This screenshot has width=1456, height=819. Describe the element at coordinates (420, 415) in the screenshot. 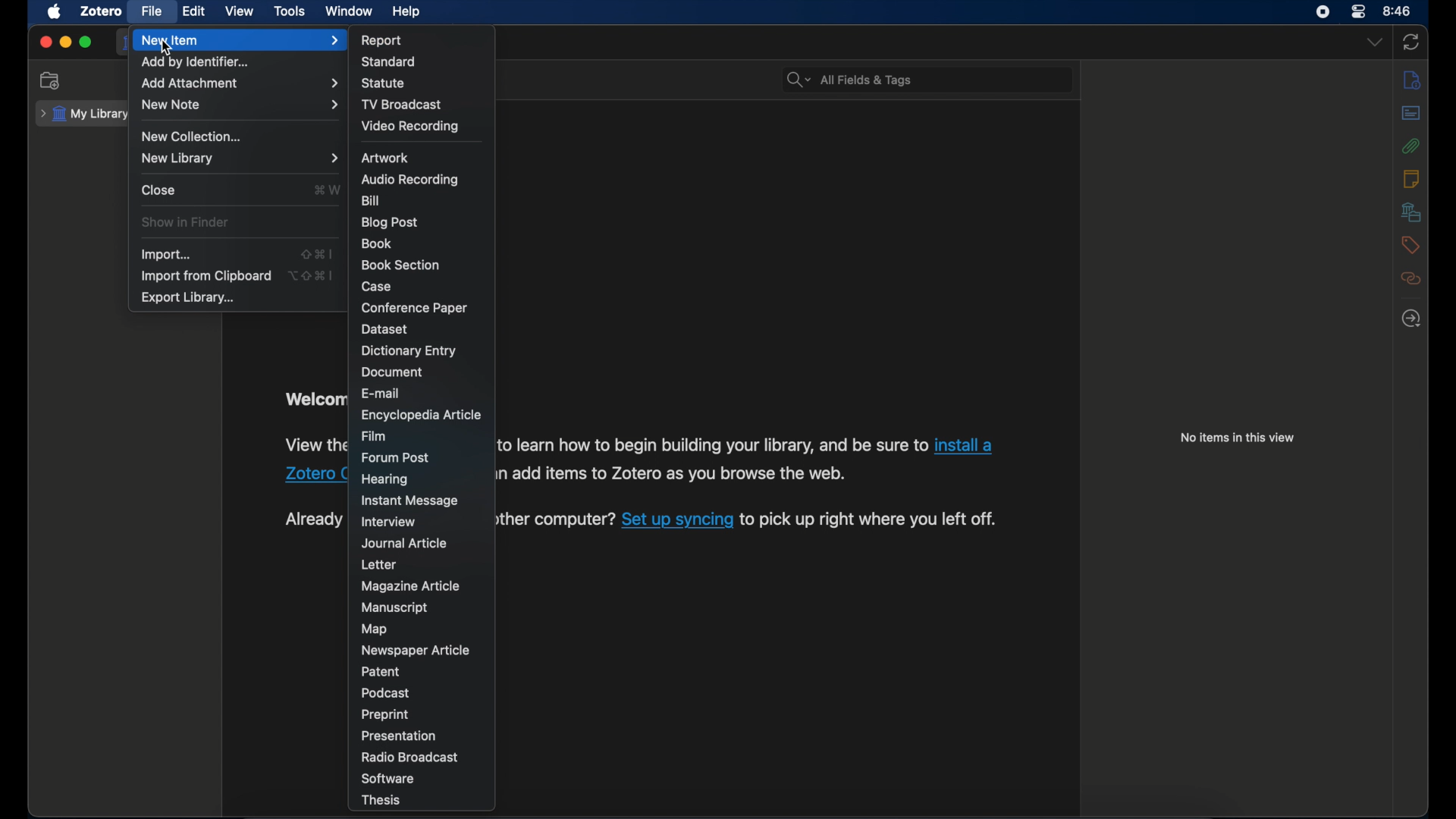

I see `encyclopedia article` at that location.